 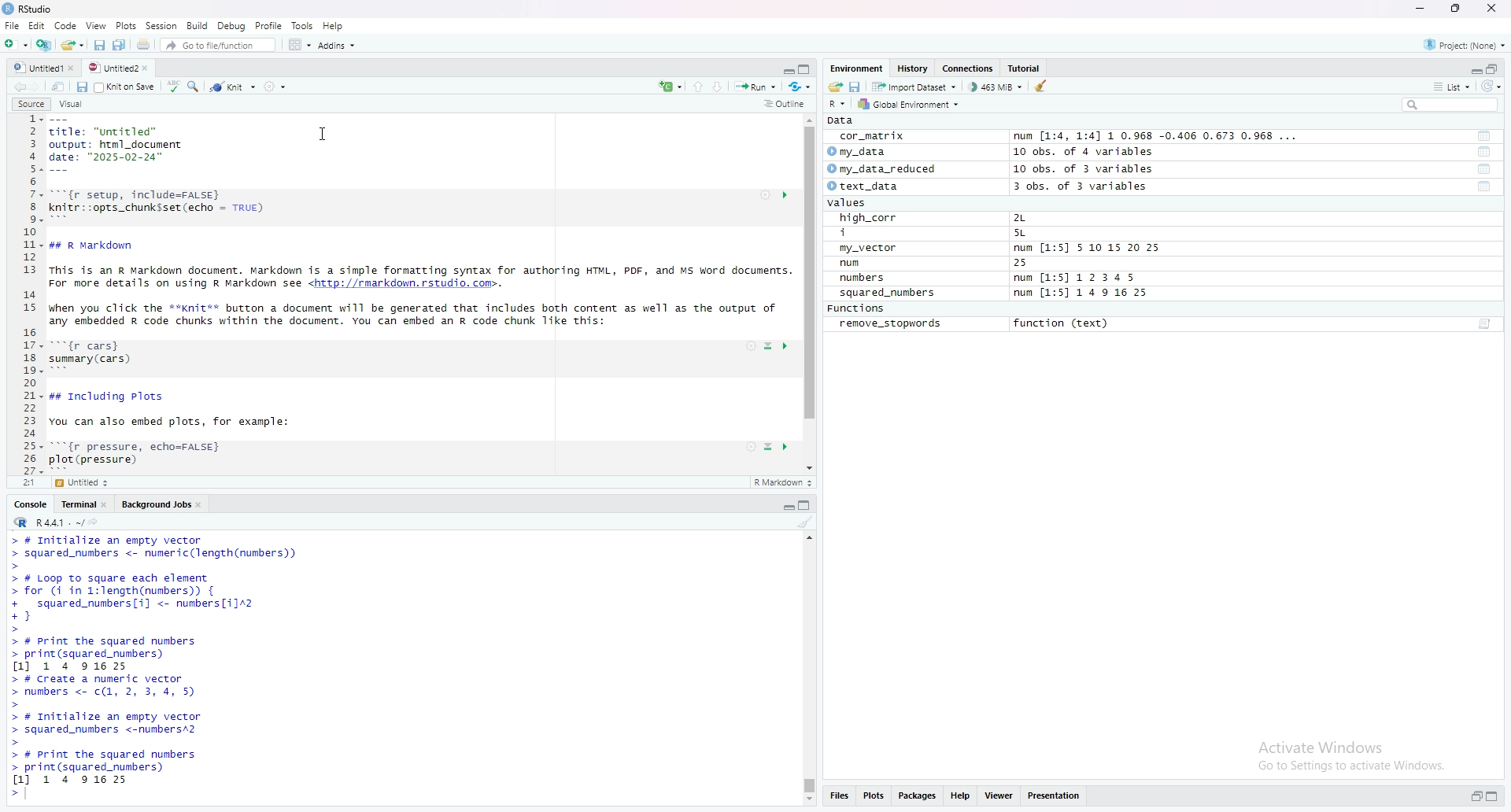 What do you see at coordinates (143, 43) in the screenshot?
I see `Print the current file` at bounding box center [143, 43].